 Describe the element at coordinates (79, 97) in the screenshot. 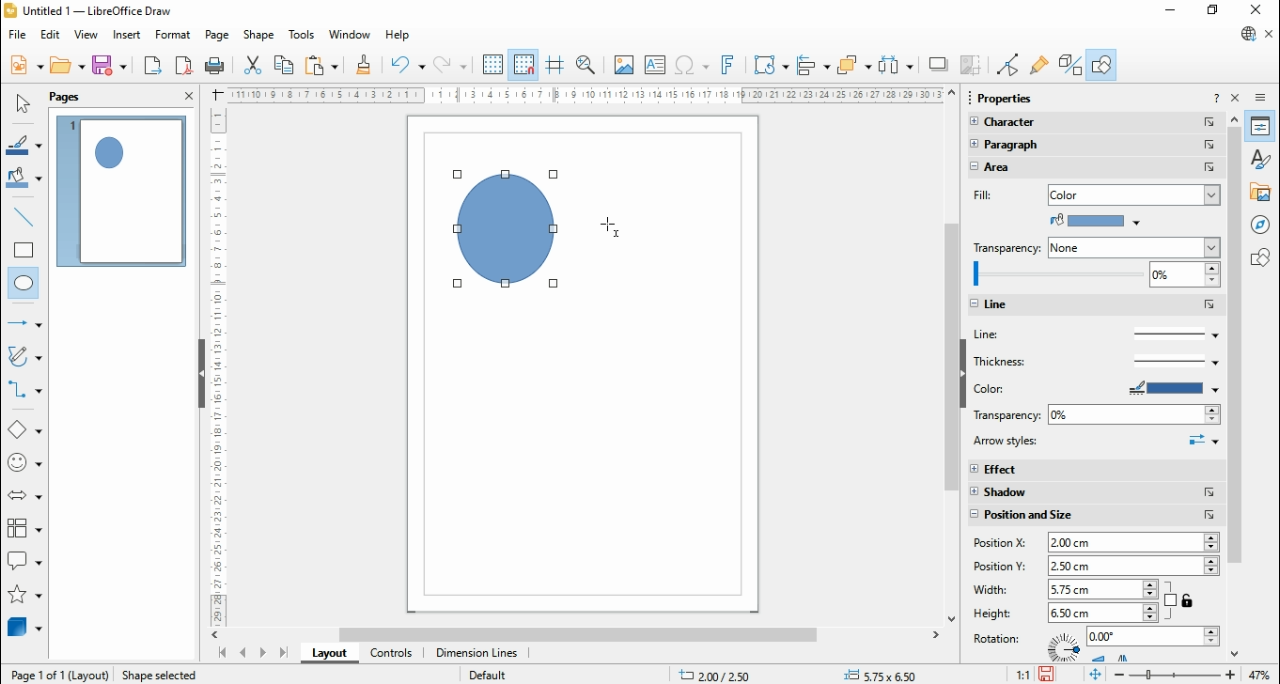

I see `pages panel` at that location.